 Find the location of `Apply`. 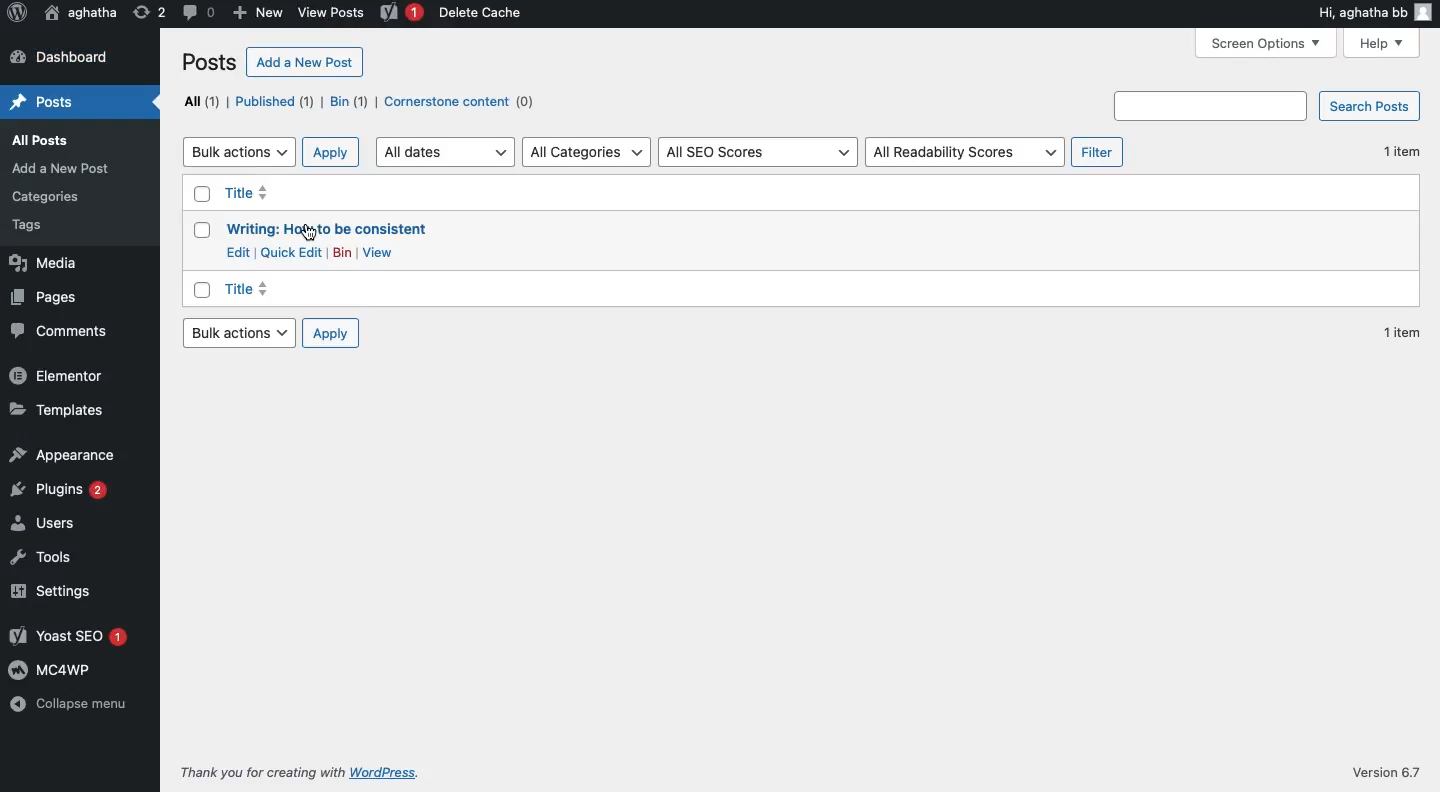

Apply is located at coordinates (329, 333).